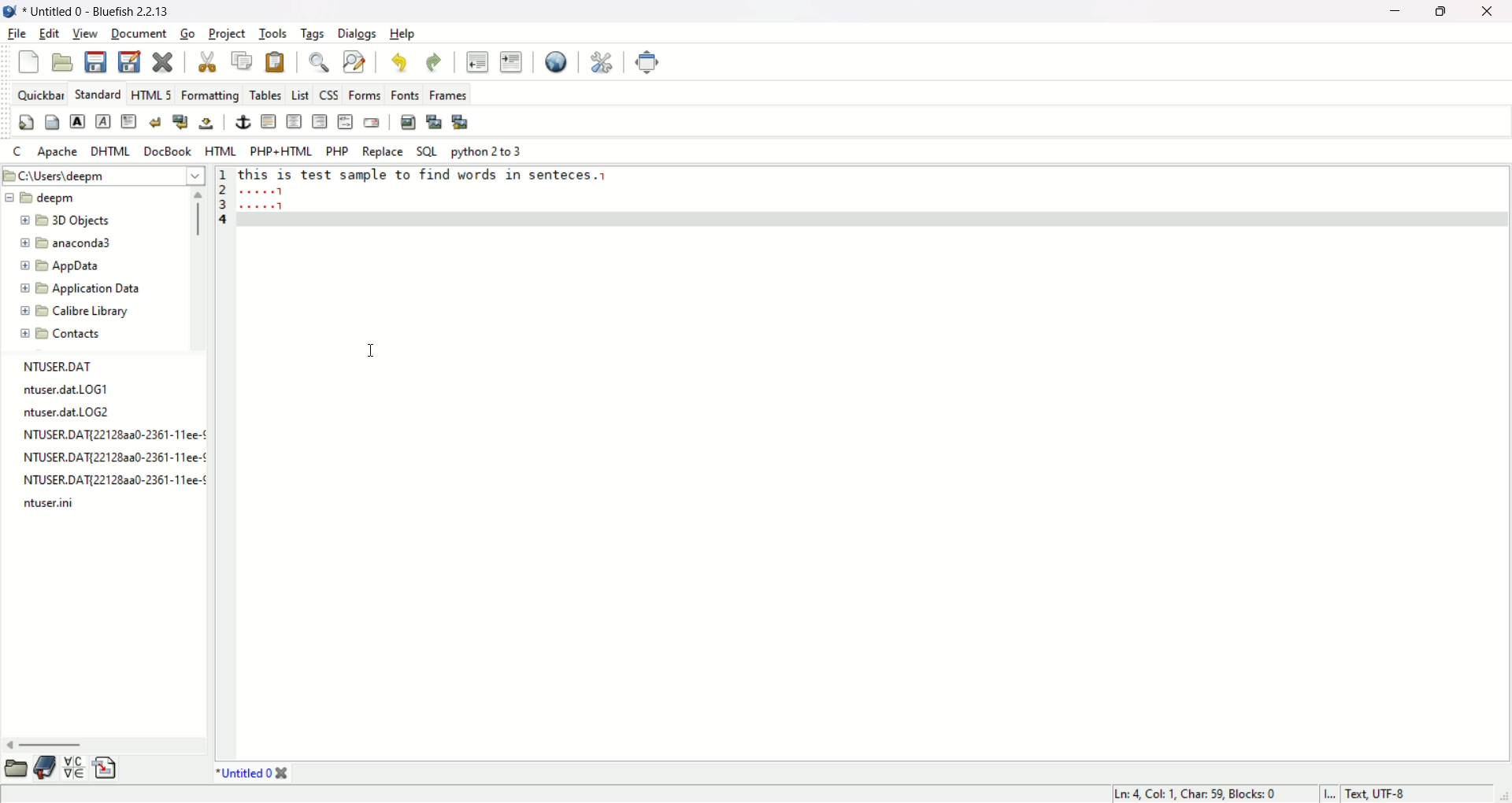 This screenshot has height=803, width=1512. What do you see at coordinates (553, 63) in the screenshot?
I see `view in browser` at bounding box center [553, 63].